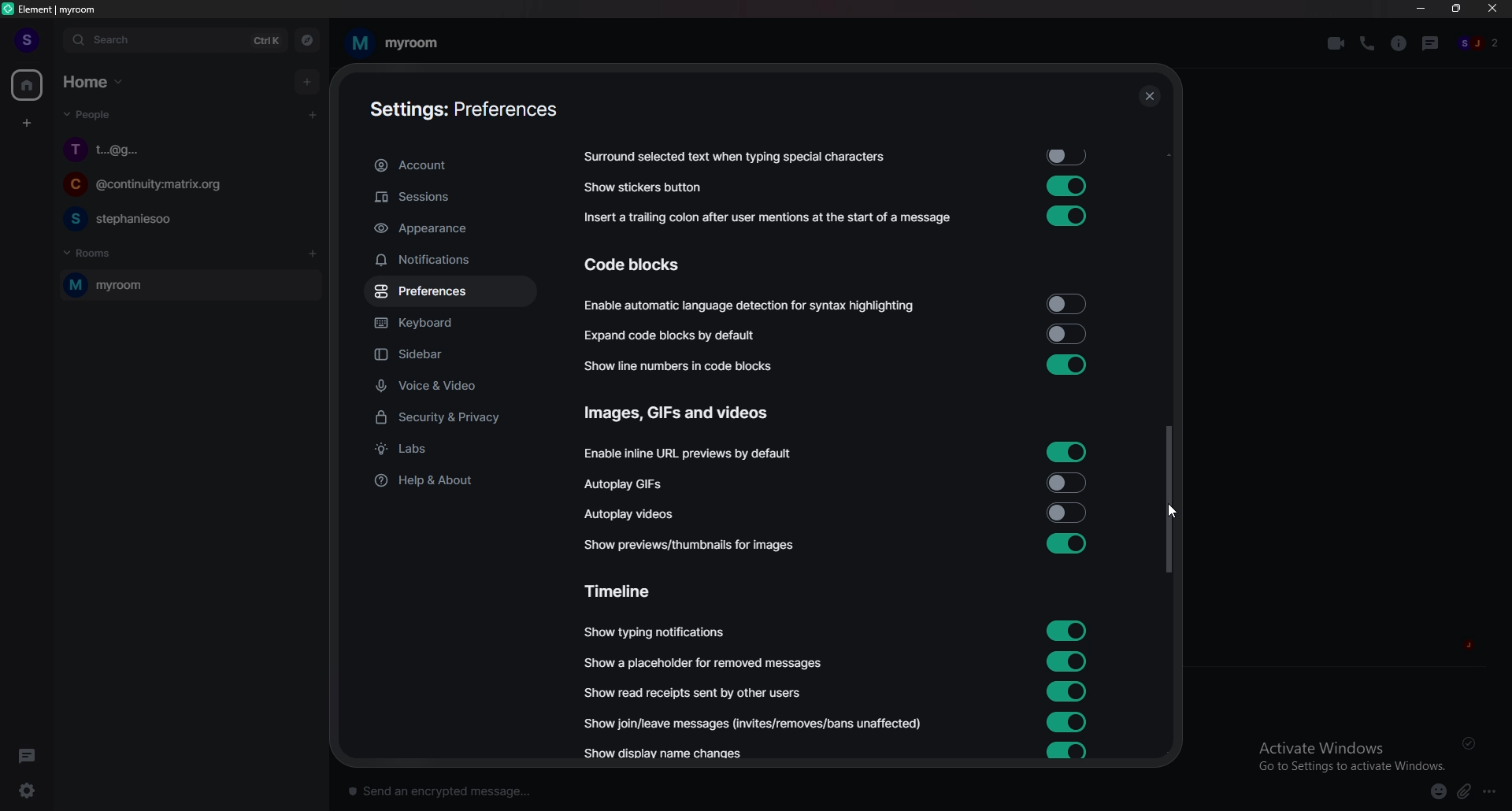  What do you see at coordinates (1168, 499) in the screenshot?
I see `scroll bar` at bounding box center [1168, 499].